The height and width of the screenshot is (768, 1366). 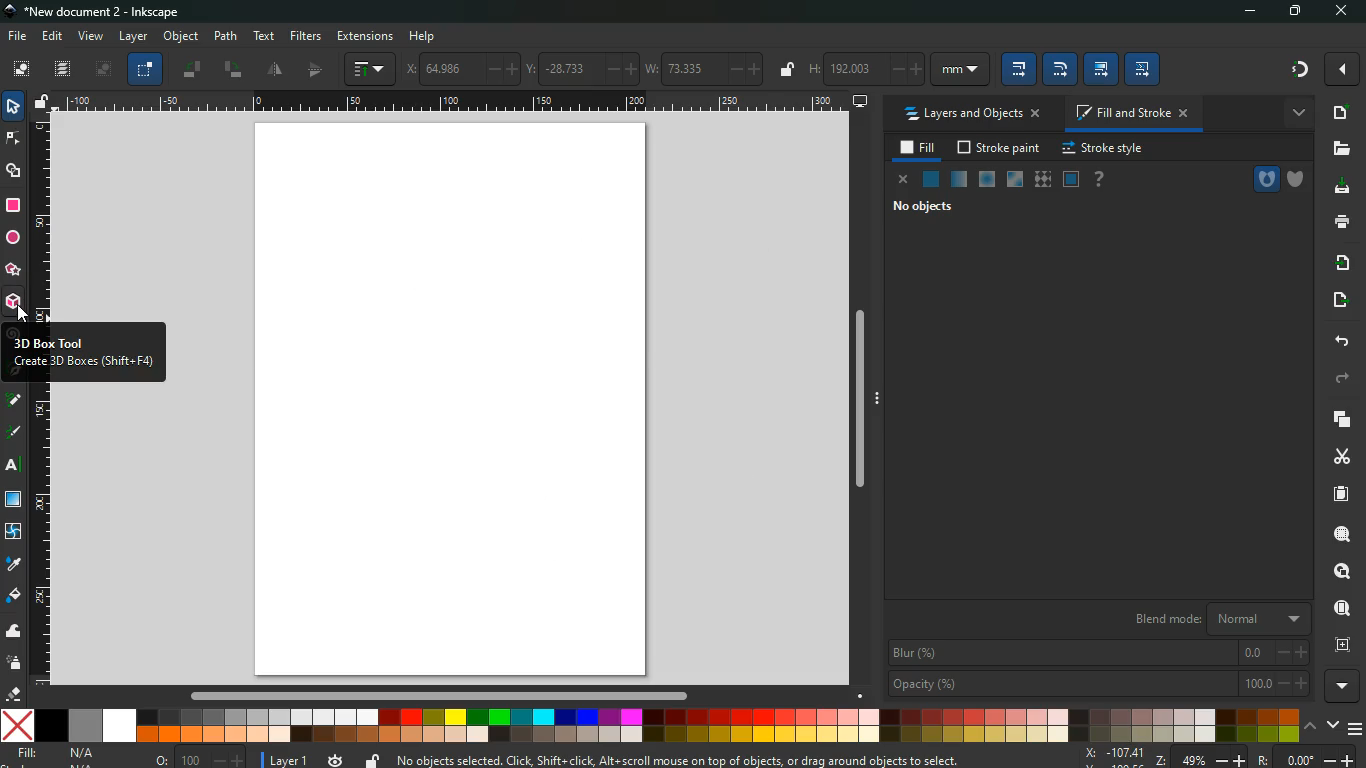 I want to click on new, so click(x=1338, y=113).